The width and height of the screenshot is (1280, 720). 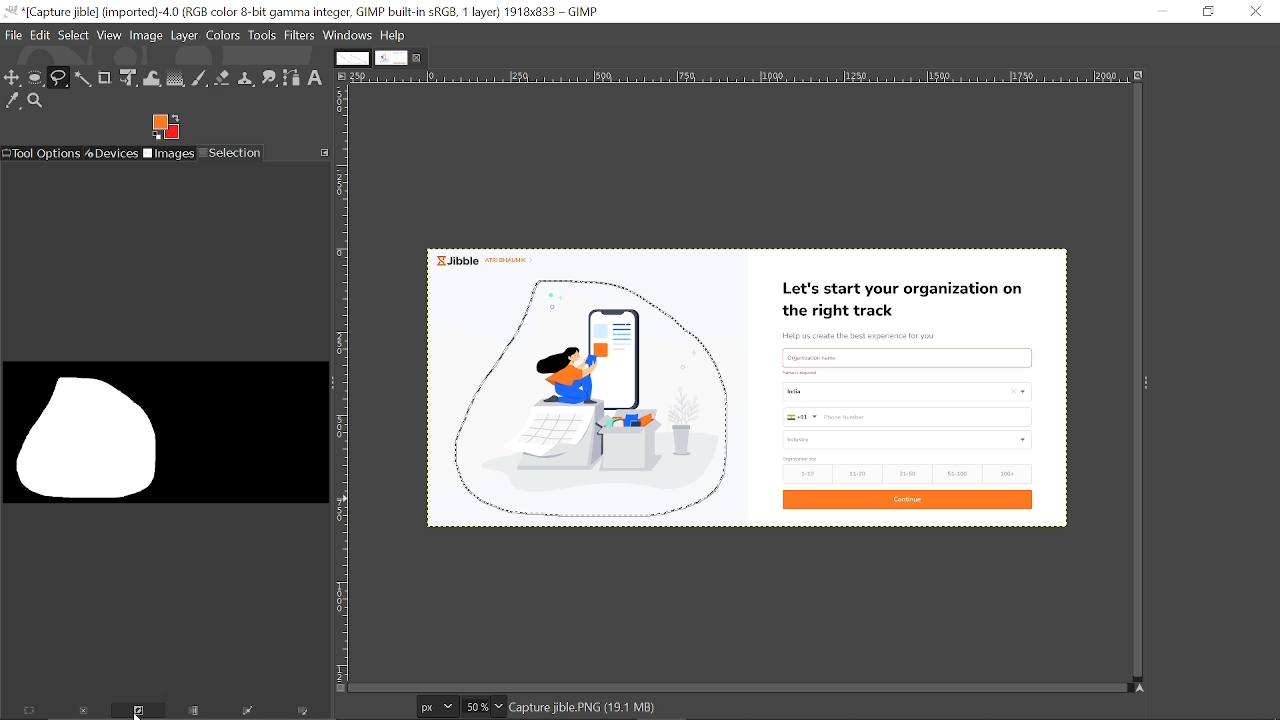 What do you see at coordinates (1255, 11) in the screenshot?
I see `Close` at bounding box center [1255, 11].